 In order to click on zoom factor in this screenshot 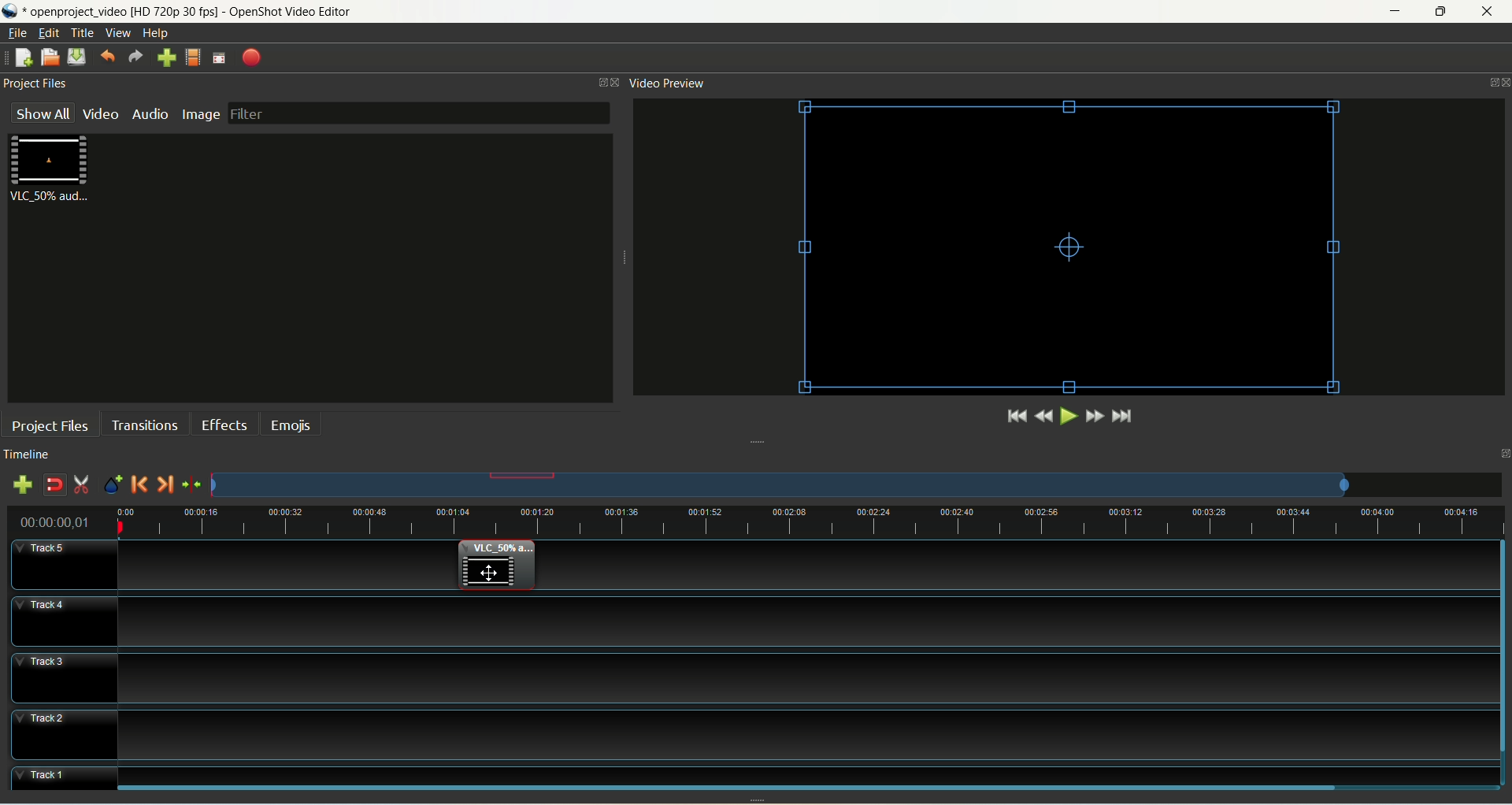, I will do `click(857, 484)`.